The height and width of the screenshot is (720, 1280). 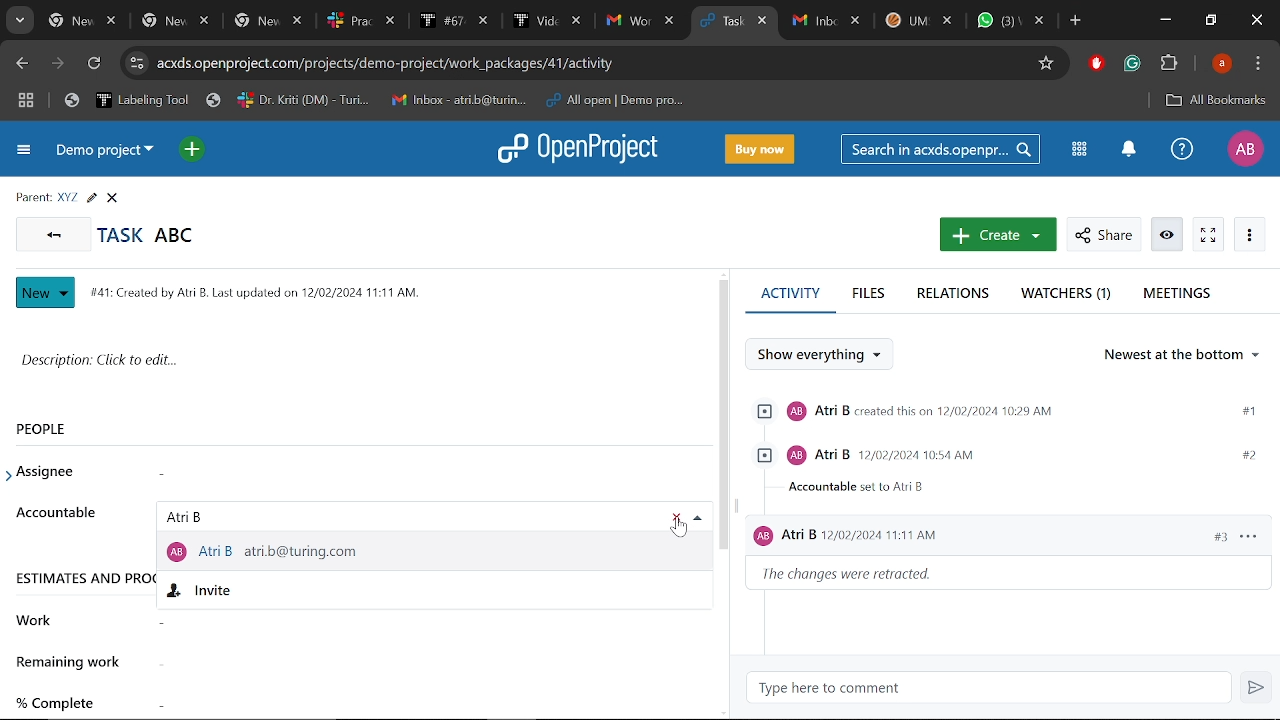 I want to click on open tabs, so click(x=361, y=22).